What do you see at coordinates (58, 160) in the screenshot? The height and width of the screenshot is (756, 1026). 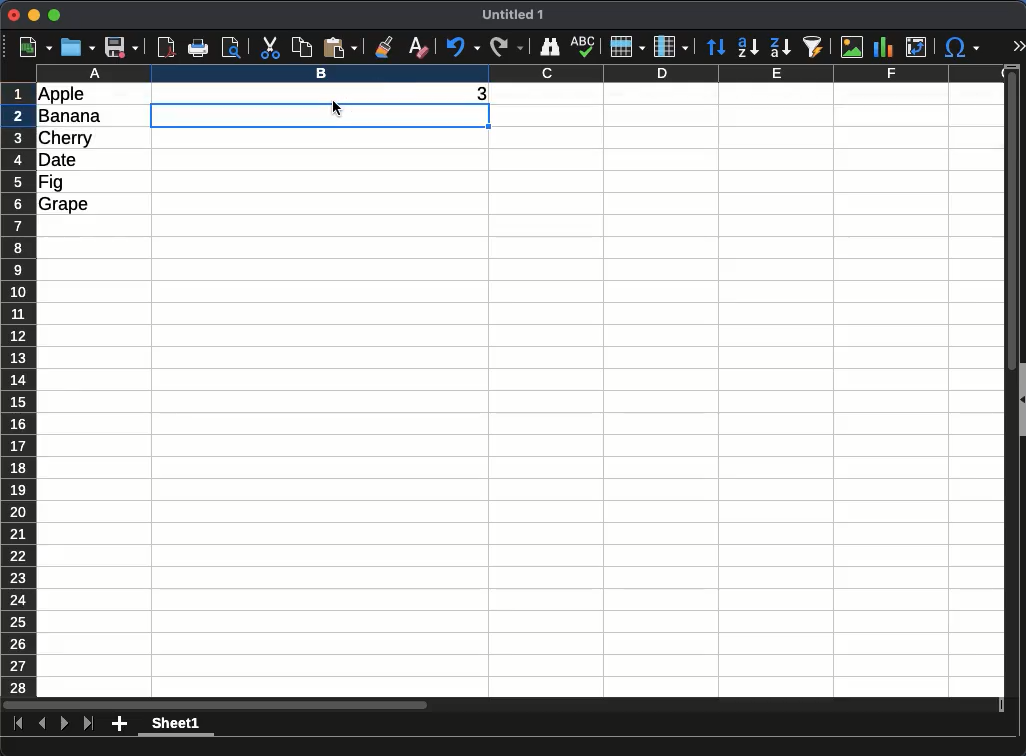 I see `date` at bounding box center [58, 160].